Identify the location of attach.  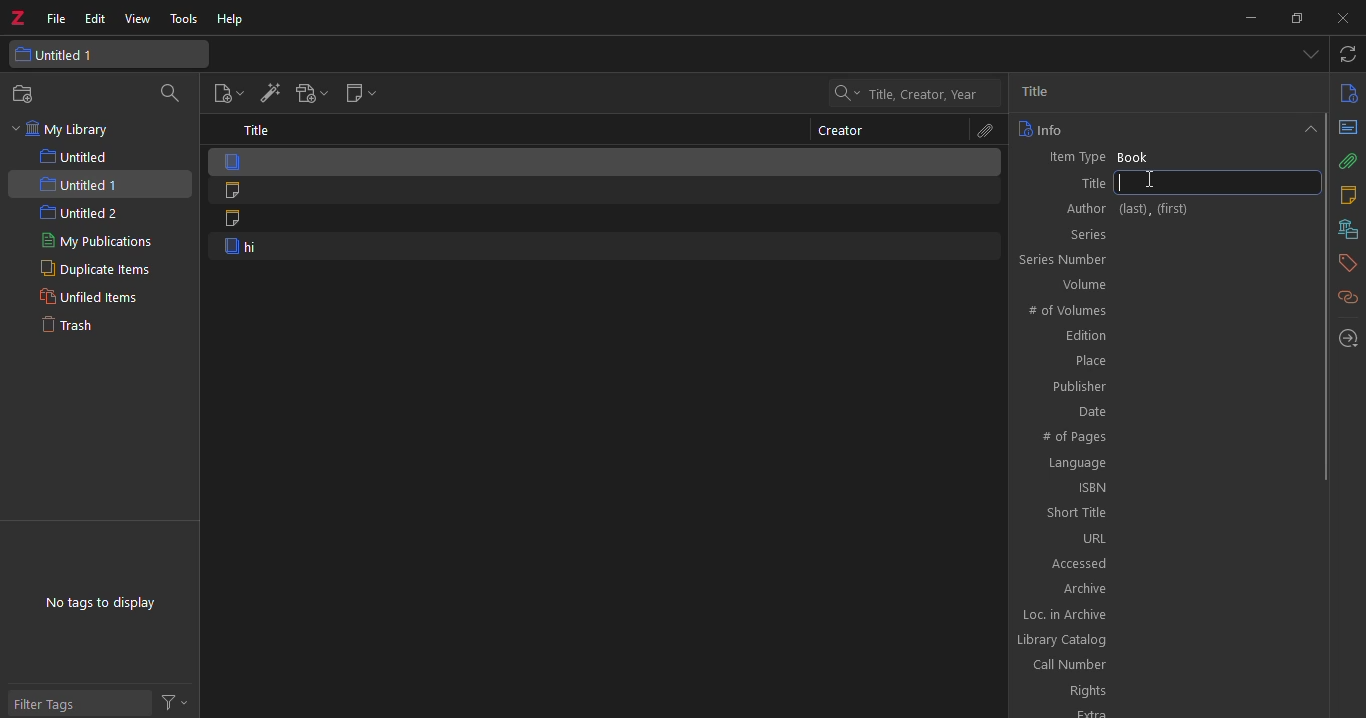
(982, 131).